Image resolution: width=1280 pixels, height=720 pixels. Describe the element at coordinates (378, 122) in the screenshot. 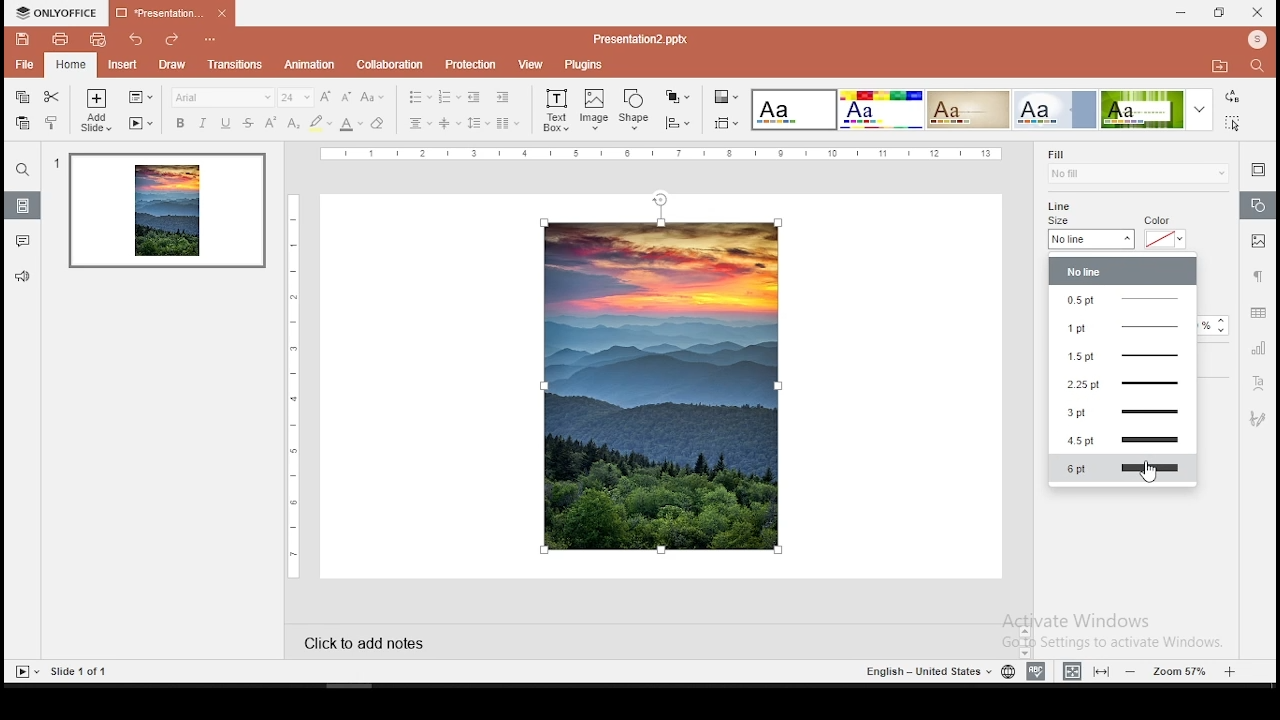

I see `eraser tool` at that location.